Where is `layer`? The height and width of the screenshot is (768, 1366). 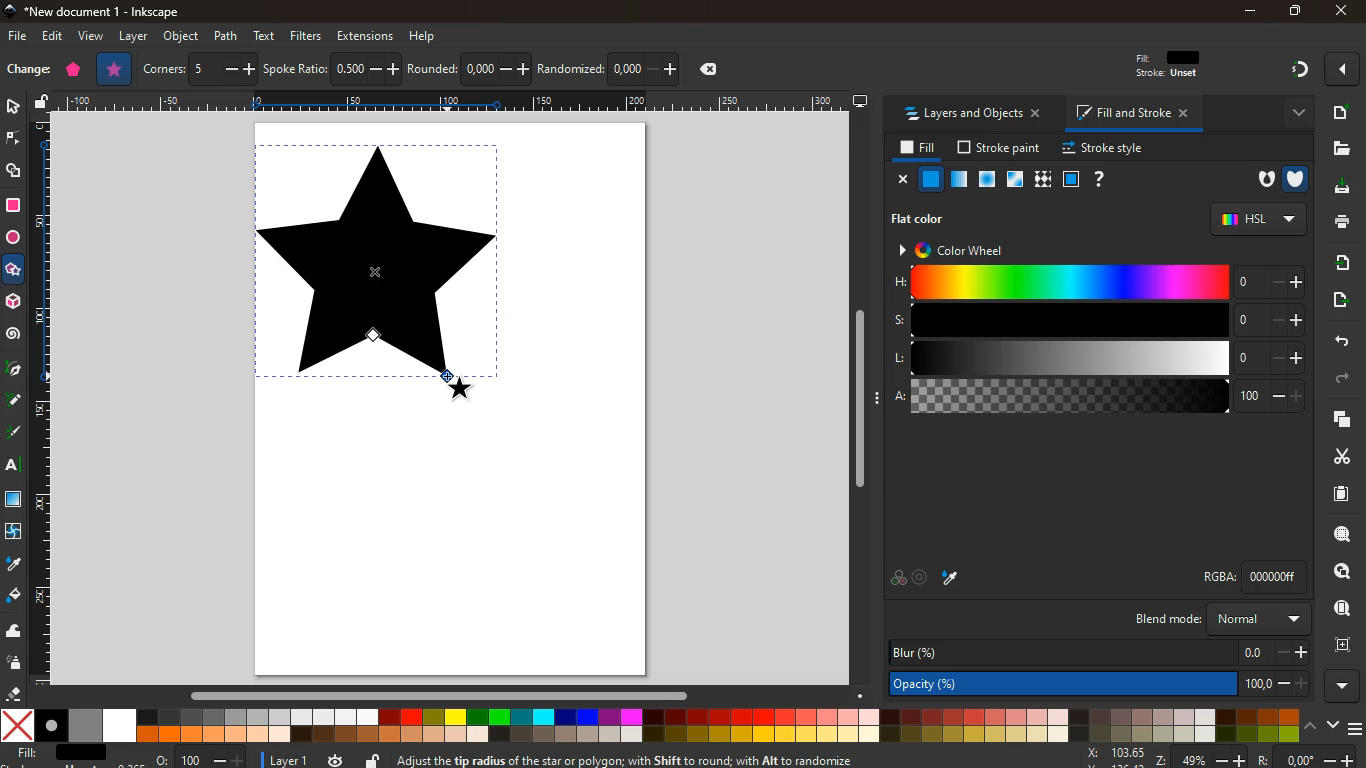 layer is located at coordinates (131, 37).